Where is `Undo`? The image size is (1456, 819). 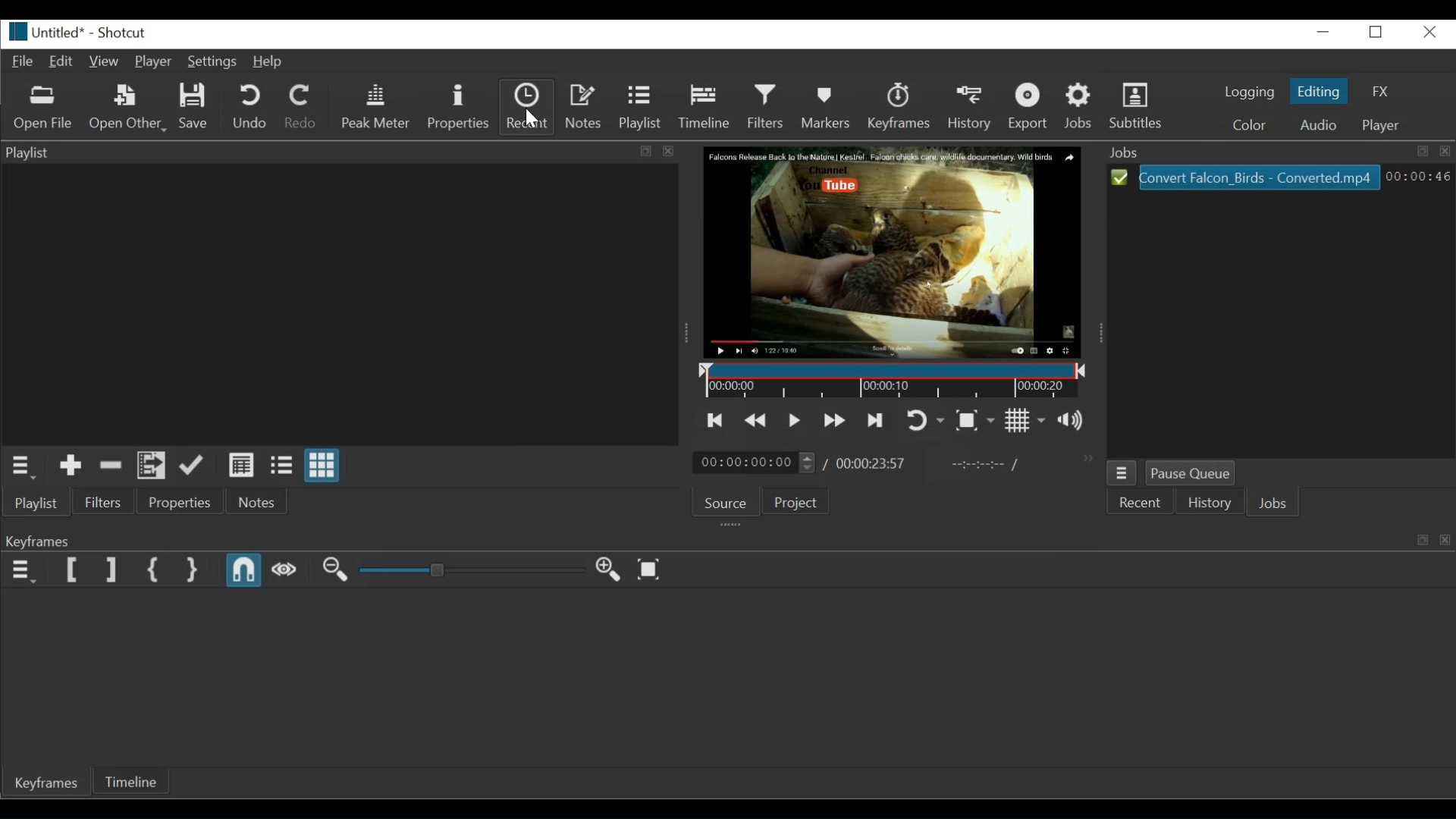 Undo is located at coordinates (252, 108).